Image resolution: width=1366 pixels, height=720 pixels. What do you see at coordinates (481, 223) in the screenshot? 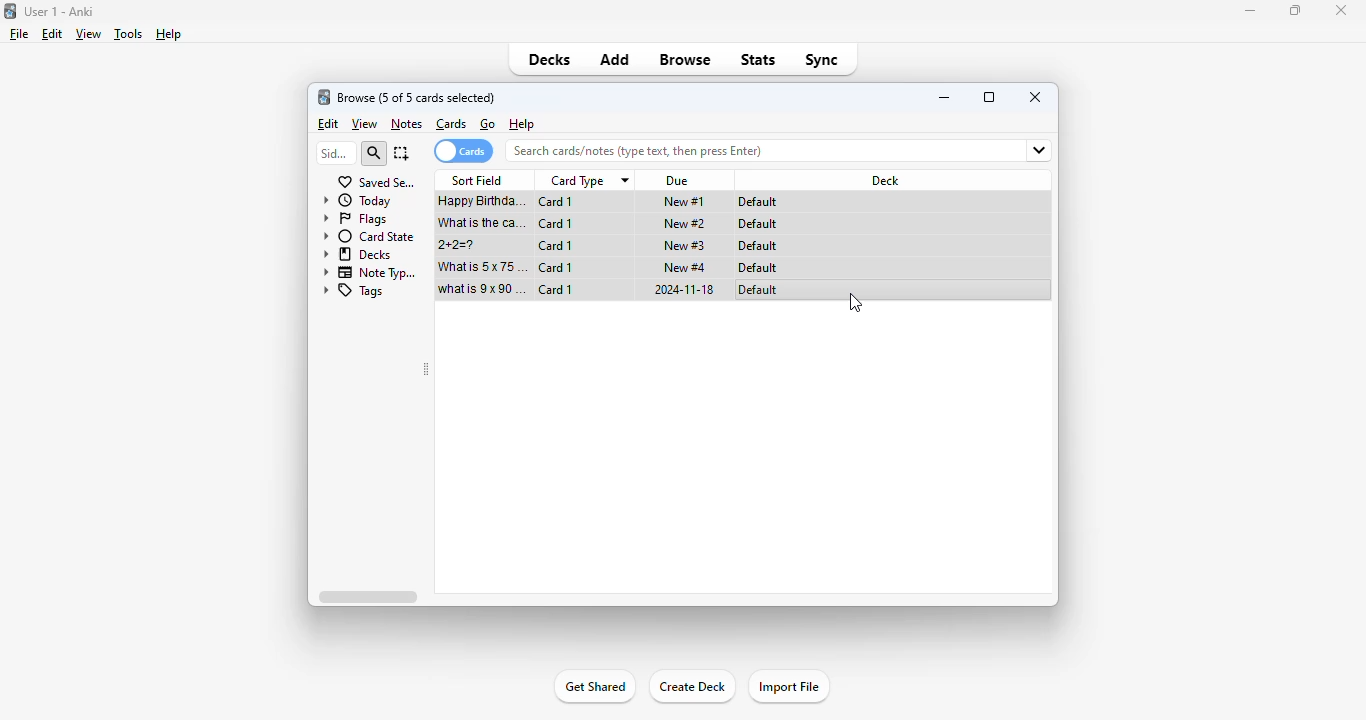
I see `what is the capital of France?` at bounding box center [481, 223].